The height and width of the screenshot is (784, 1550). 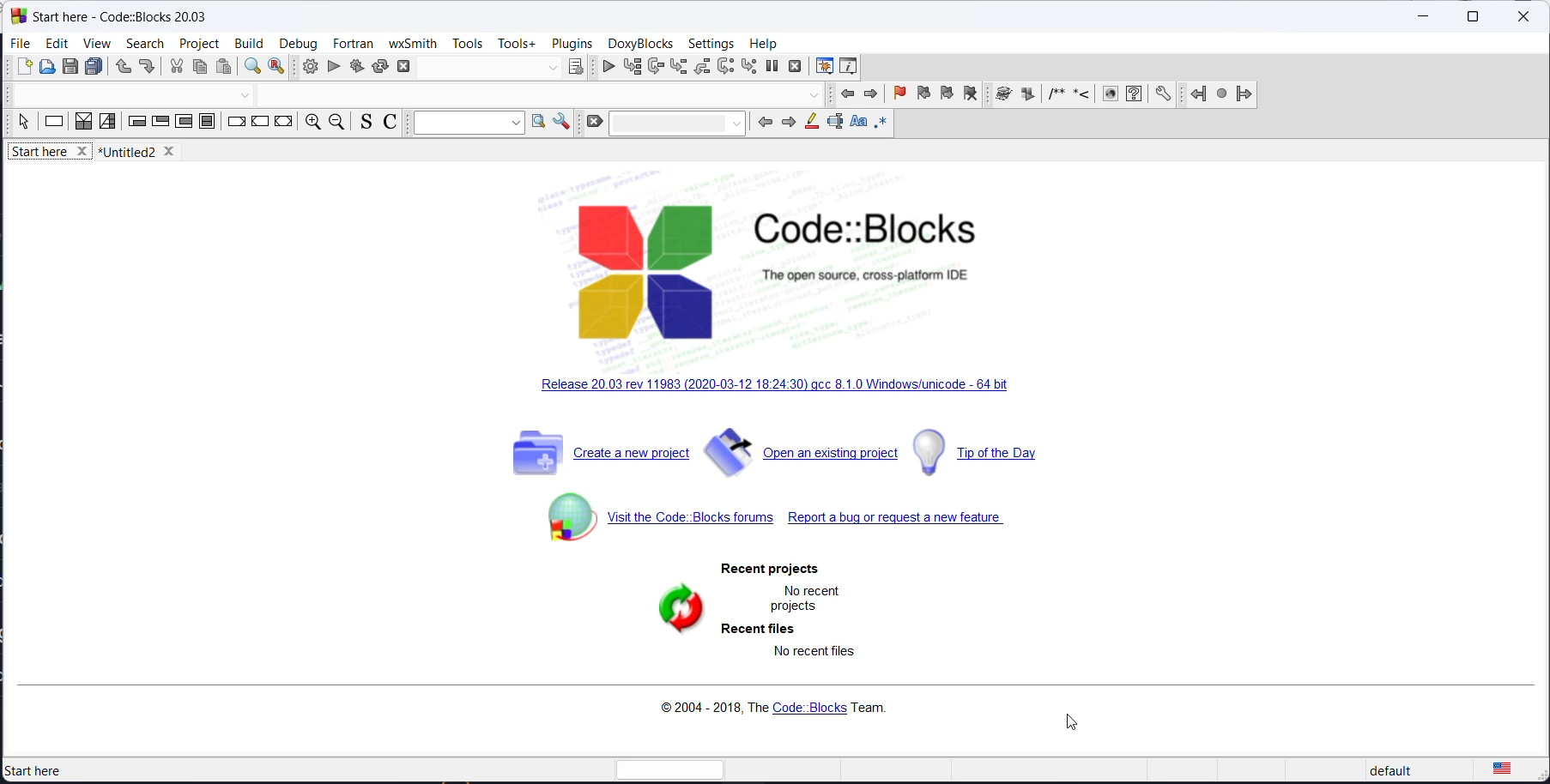 What do you see at coordinates (311, 124) in the screenshot?
I see `zoom in` at bounding box center [311, 124].